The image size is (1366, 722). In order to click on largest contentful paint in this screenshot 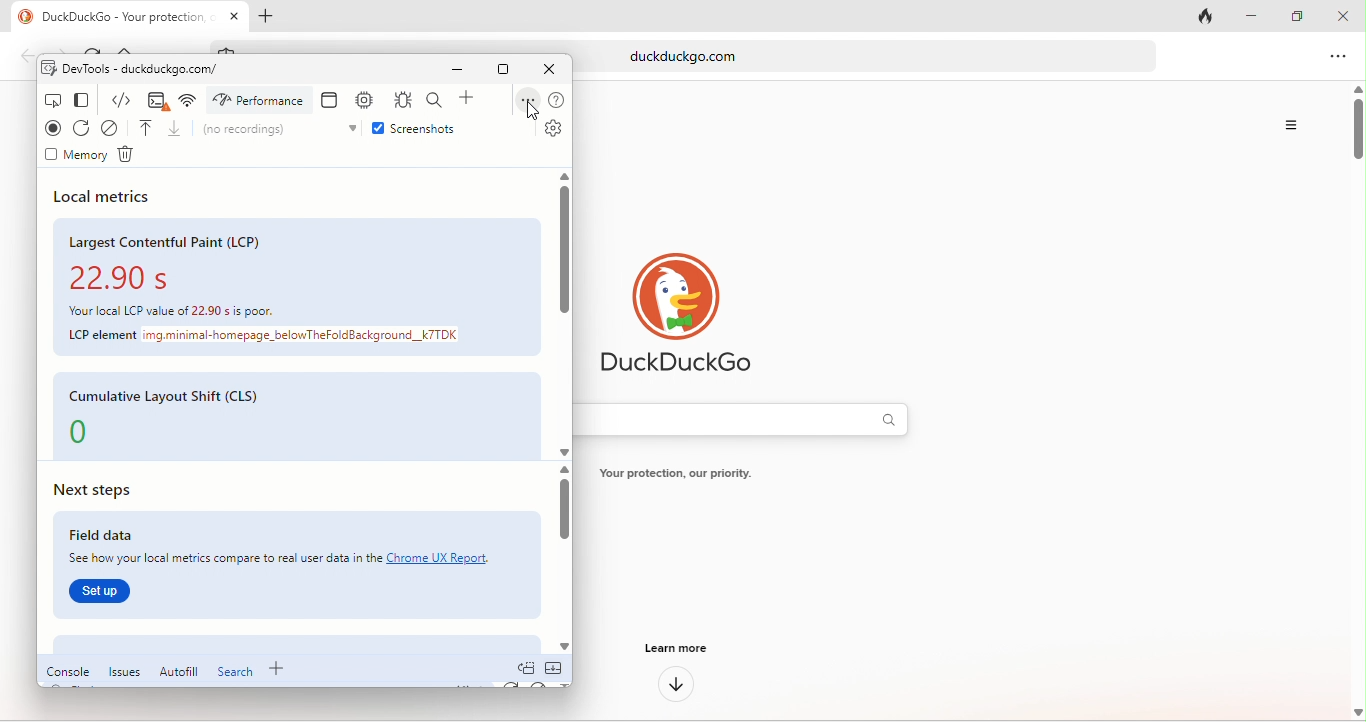, I will do `click(169, 241)`.